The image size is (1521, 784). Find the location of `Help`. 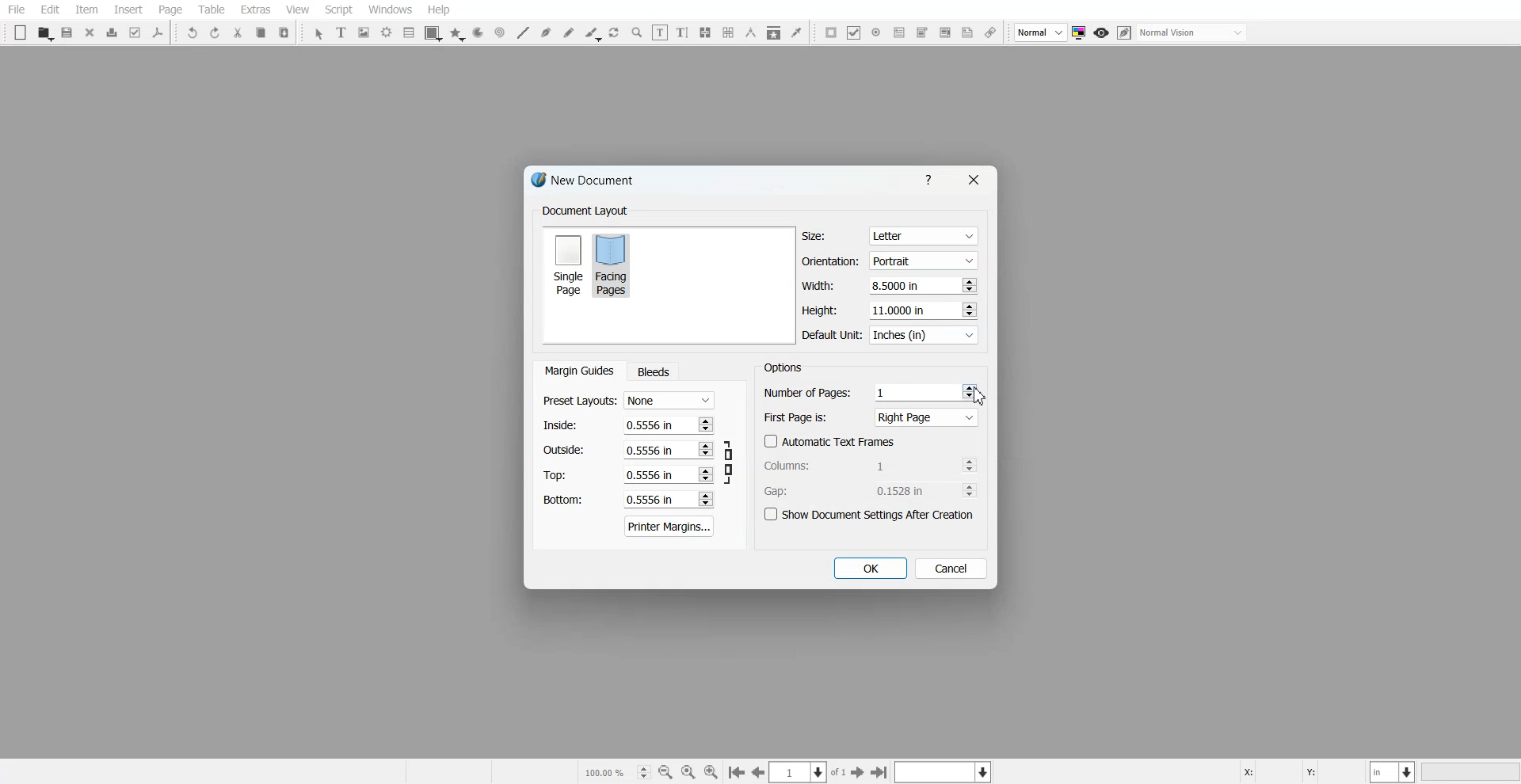

Help is located at coordinates (438, 10).